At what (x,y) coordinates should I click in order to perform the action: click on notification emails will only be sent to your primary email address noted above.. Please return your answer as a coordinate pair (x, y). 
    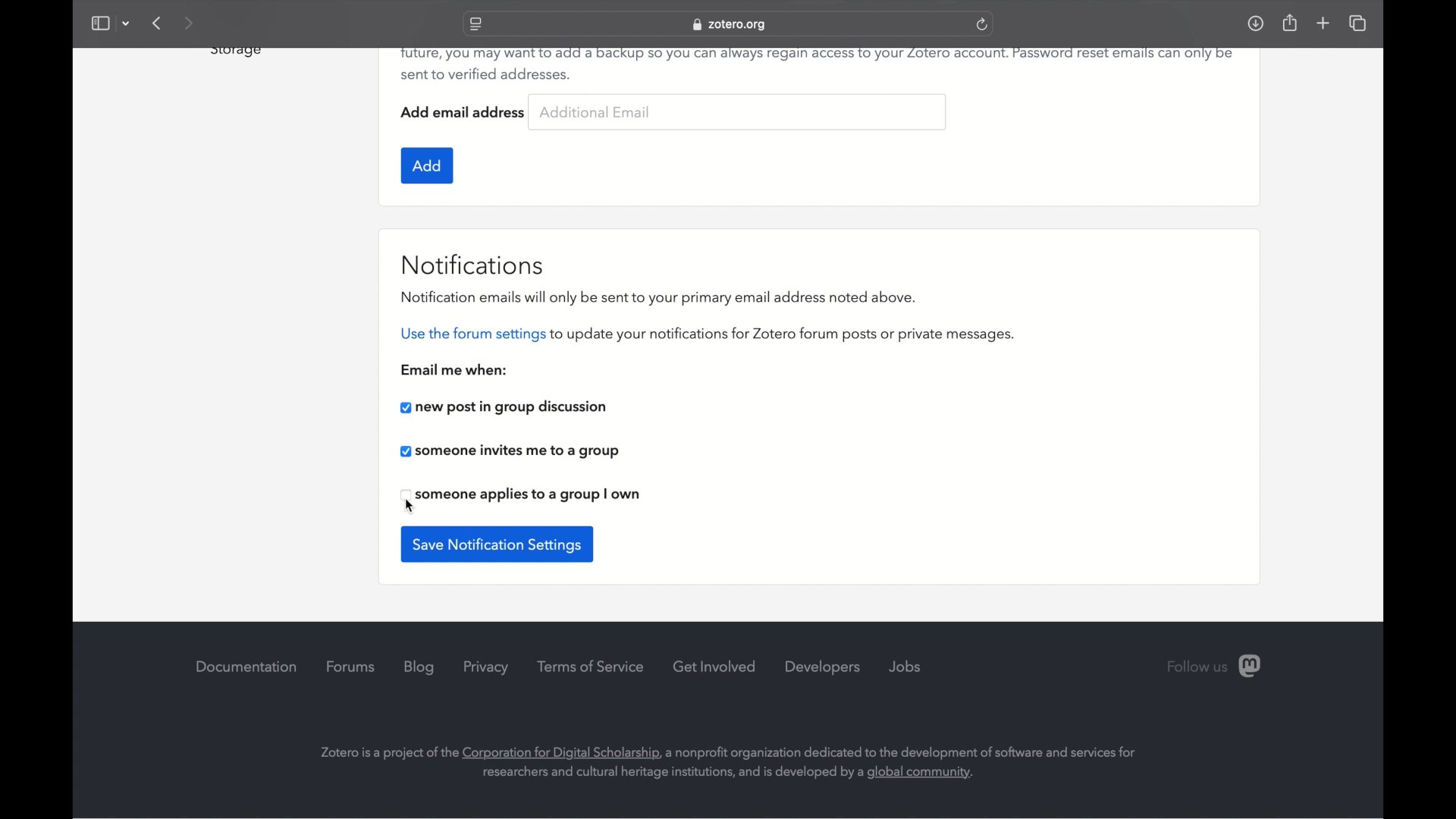
    Looking at the image, I should click on (658, 297).